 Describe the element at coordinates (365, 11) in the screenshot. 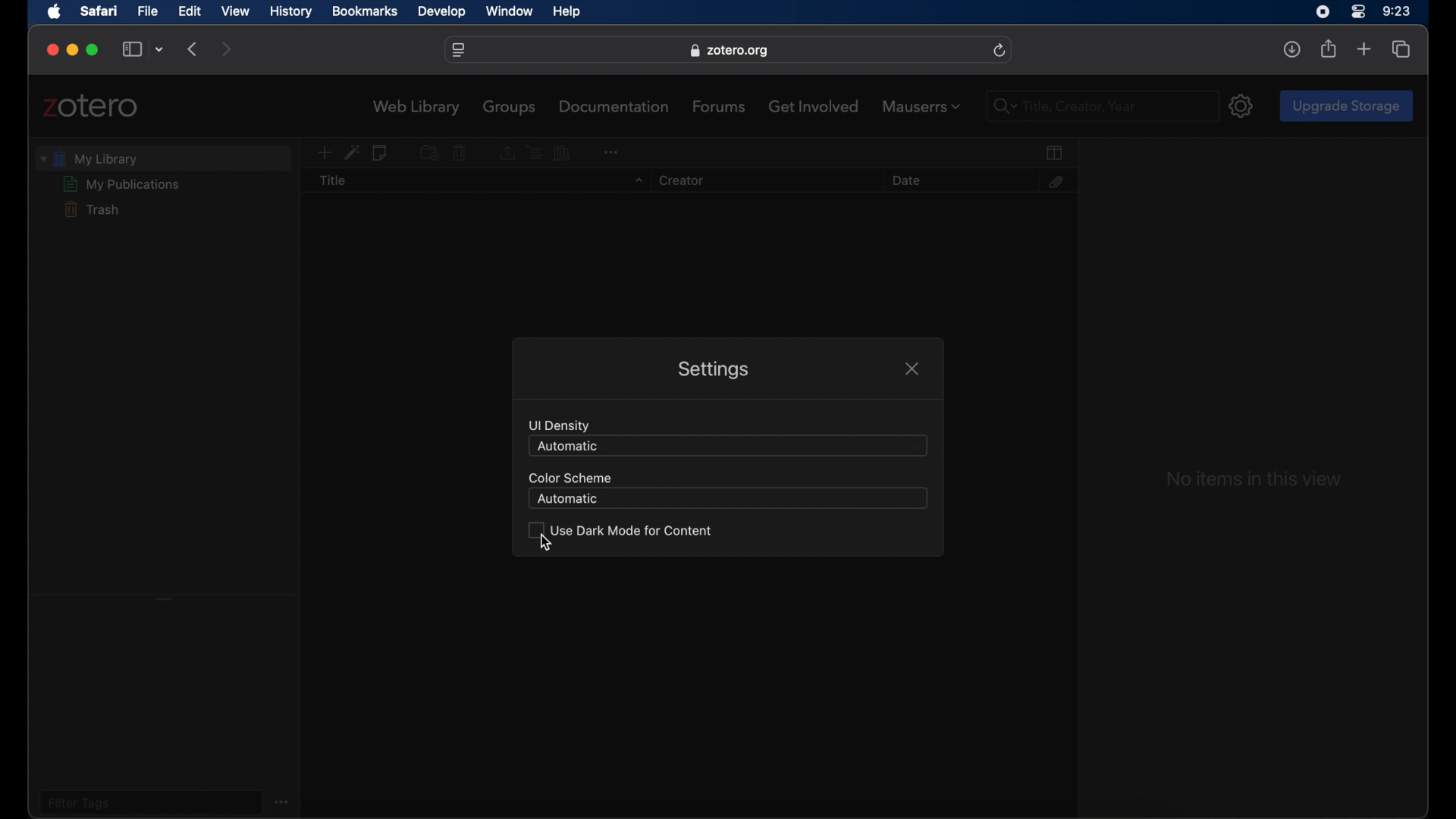

I see `bookmarks` at that location.